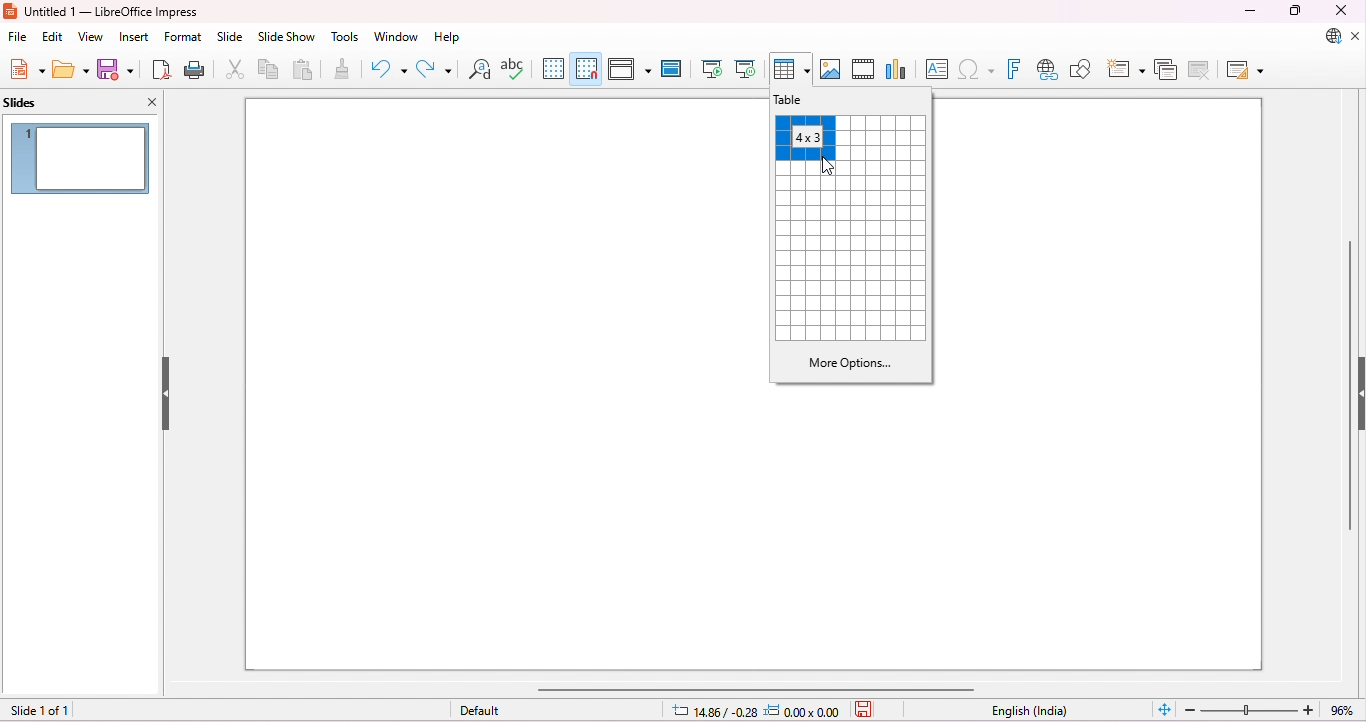 The width and height of the screenshot is (1366, 722). What do you see at coordinates (342, 68) in the screenshot?
I see `clone` at bounding box center [342, 68].